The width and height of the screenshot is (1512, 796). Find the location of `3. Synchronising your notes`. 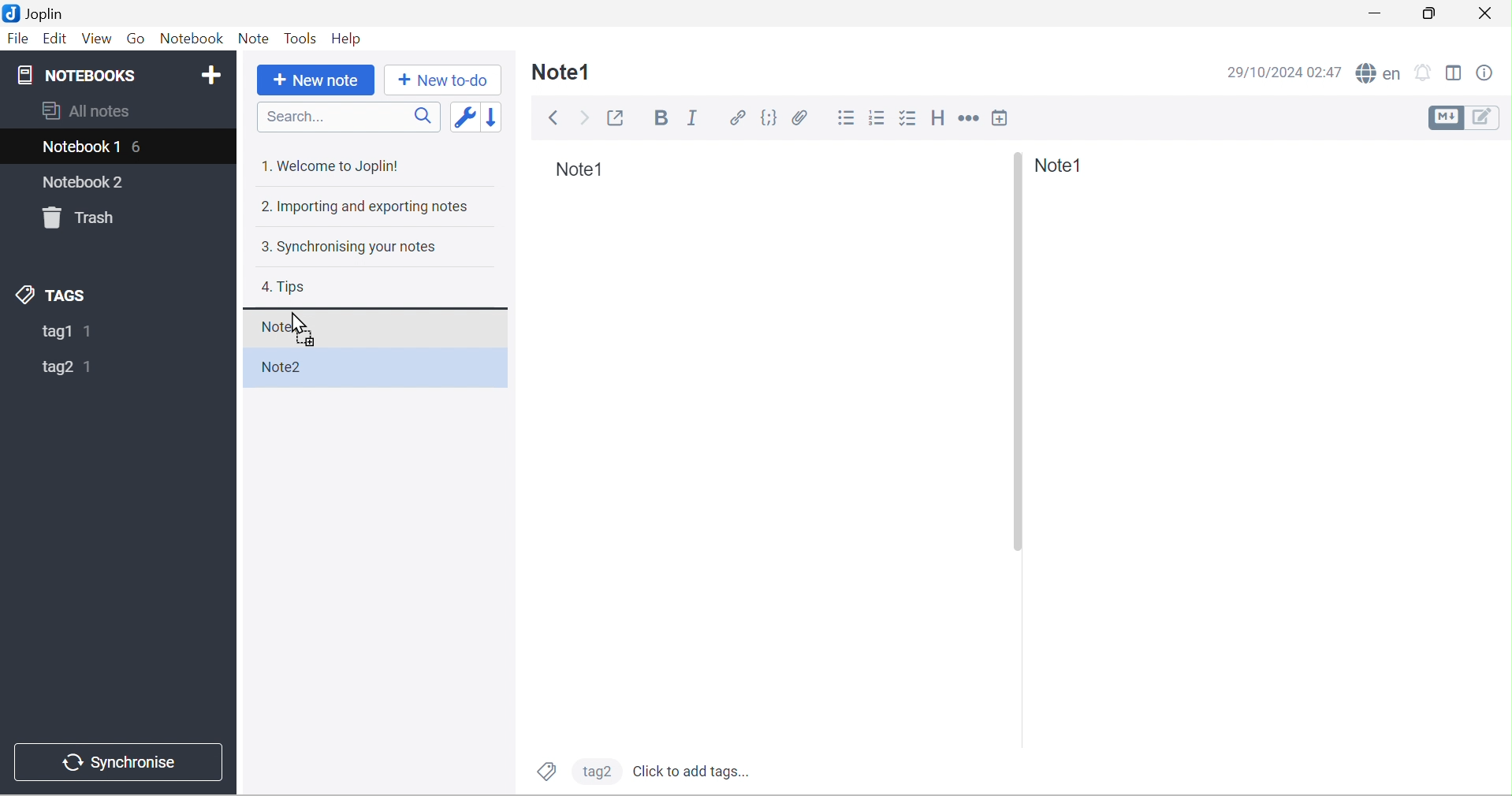

3. Synchronising your notes is located at coordinates (348, 251).